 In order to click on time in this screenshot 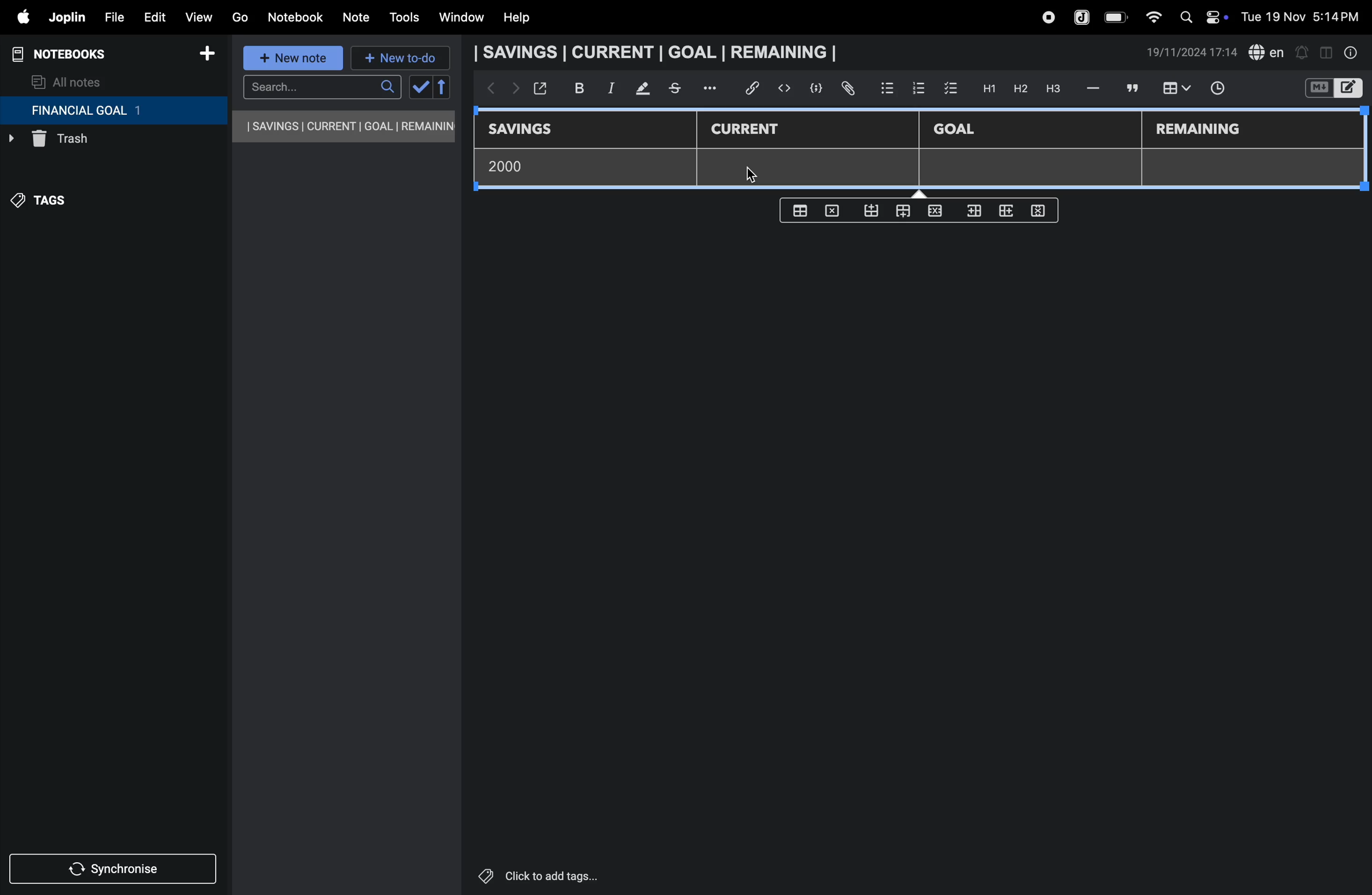, I will do `click(1225, 89)`.